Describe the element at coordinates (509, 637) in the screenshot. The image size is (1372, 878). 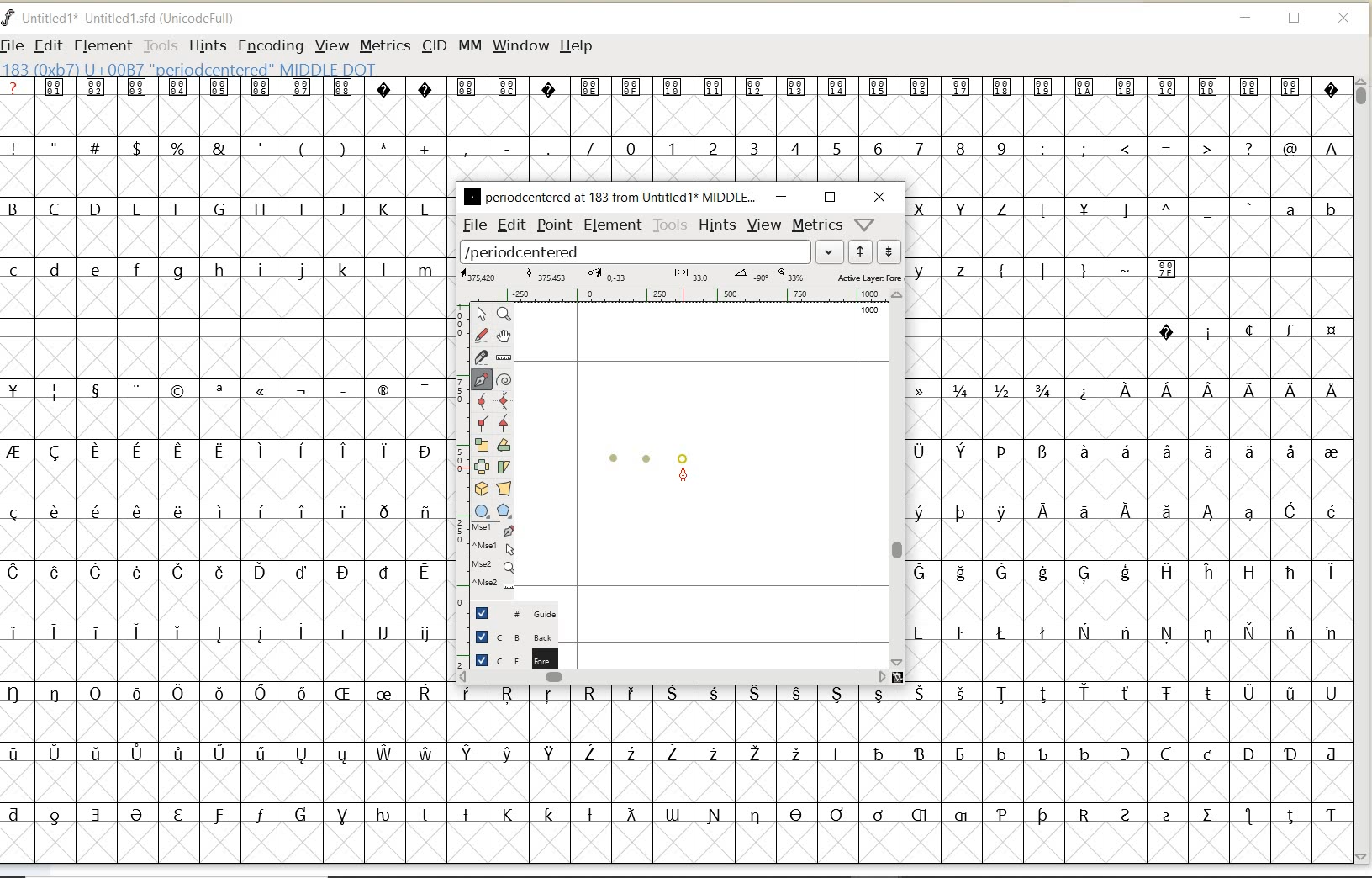
I see `background` at that location.